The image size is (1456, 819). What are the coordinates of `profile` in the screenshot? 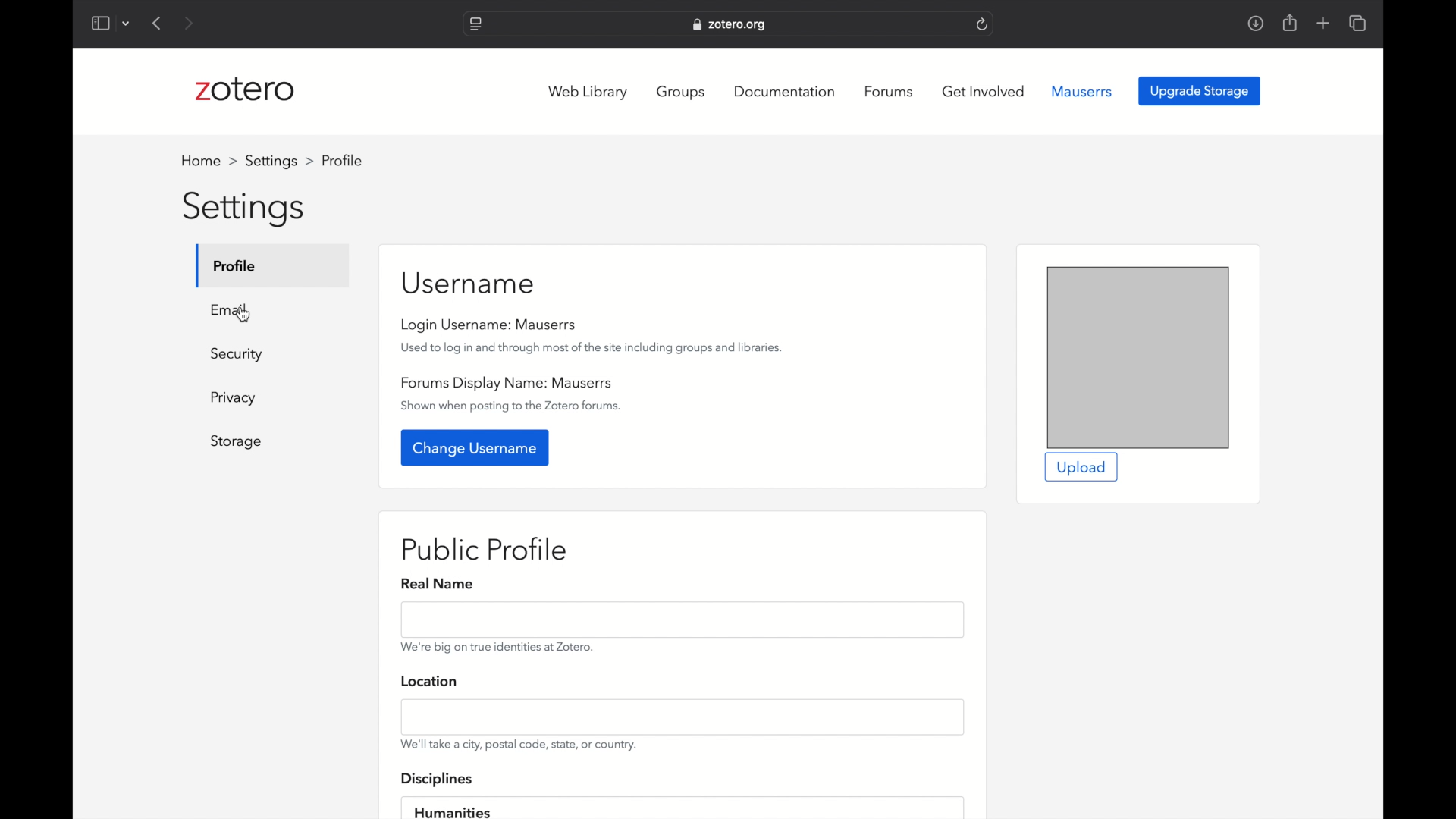 It's located at (342, 161).